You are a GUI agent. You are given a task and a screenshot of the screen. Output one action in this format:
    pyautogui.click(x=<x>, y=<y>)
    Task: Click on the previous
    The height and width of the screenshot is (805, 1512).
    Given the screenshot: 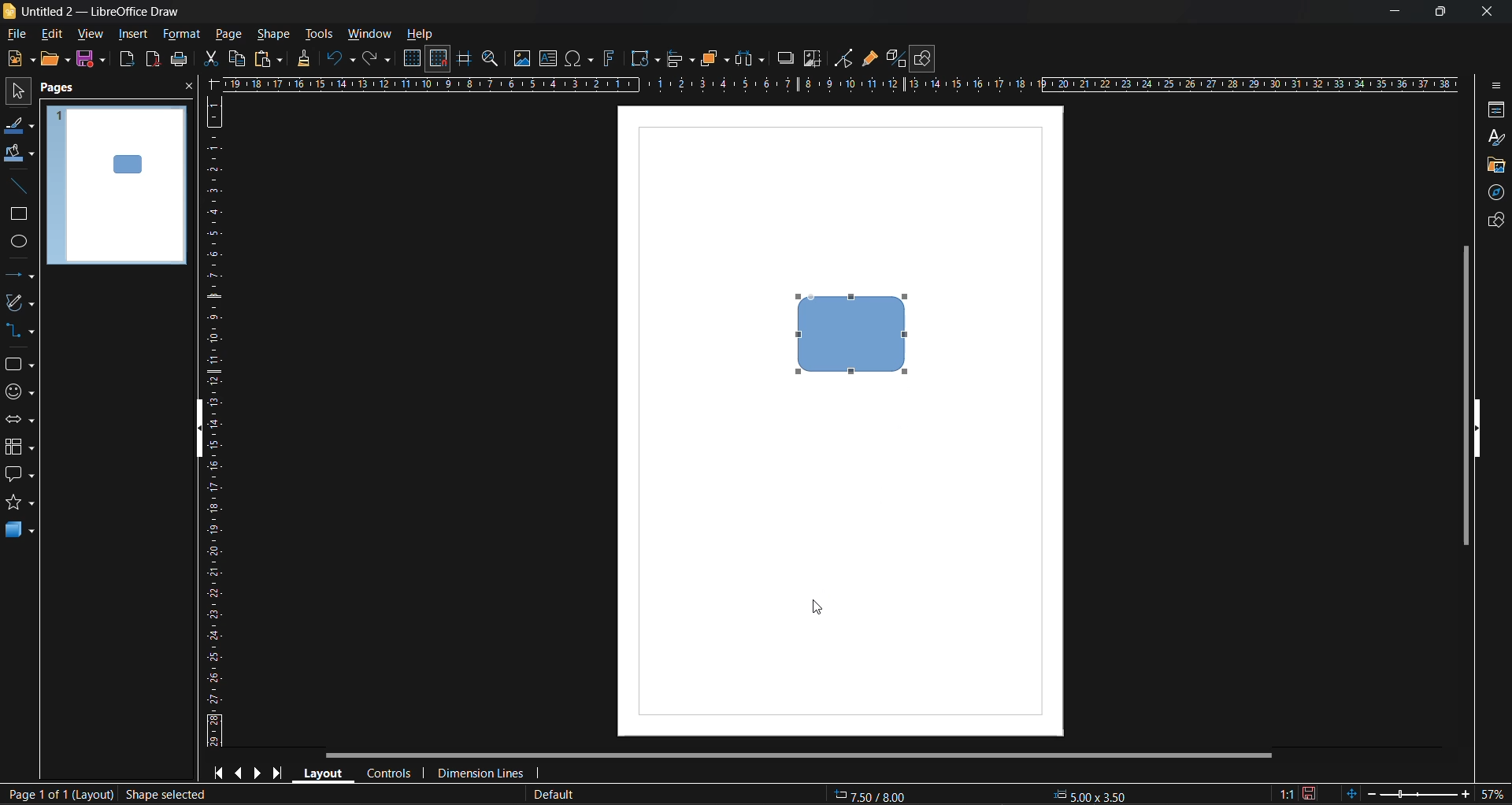 What is the action you would take?
    pyautogui.click(x=237, y=771)
    